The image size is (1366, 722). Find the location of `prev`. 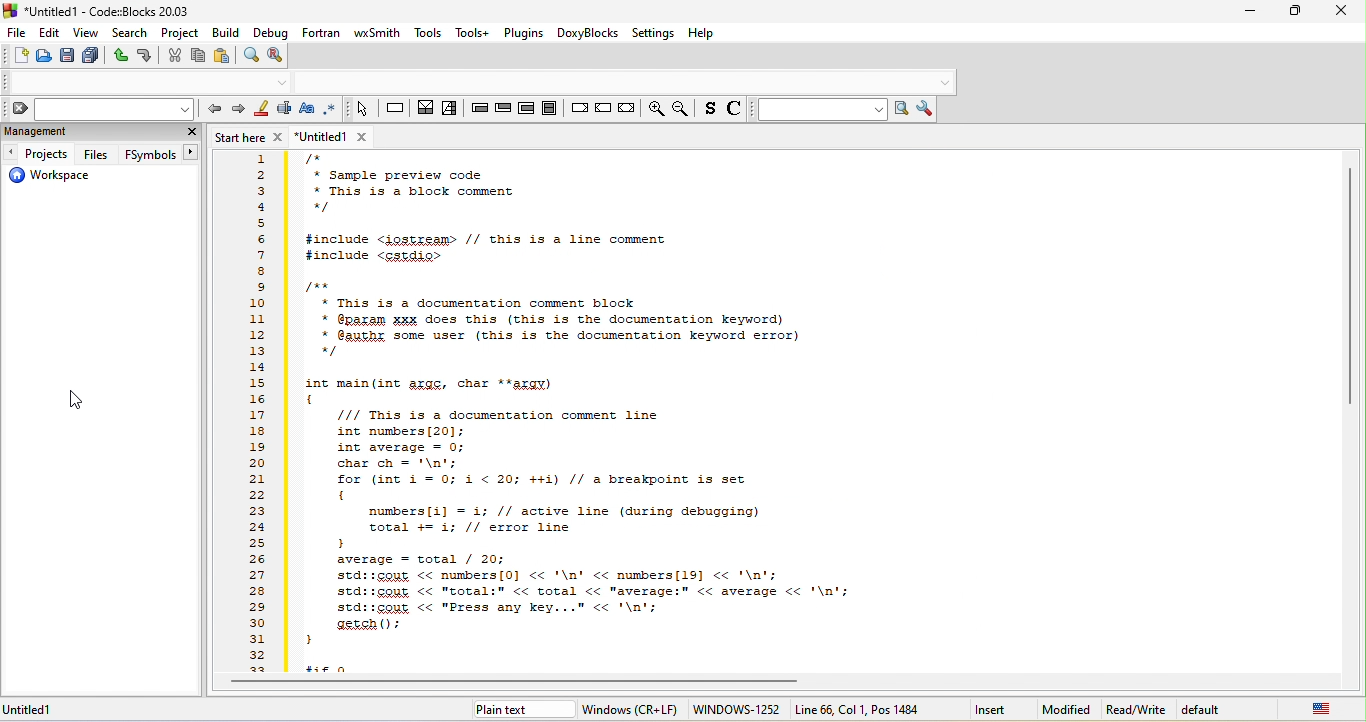

prev is located at coordinates (213, 110).